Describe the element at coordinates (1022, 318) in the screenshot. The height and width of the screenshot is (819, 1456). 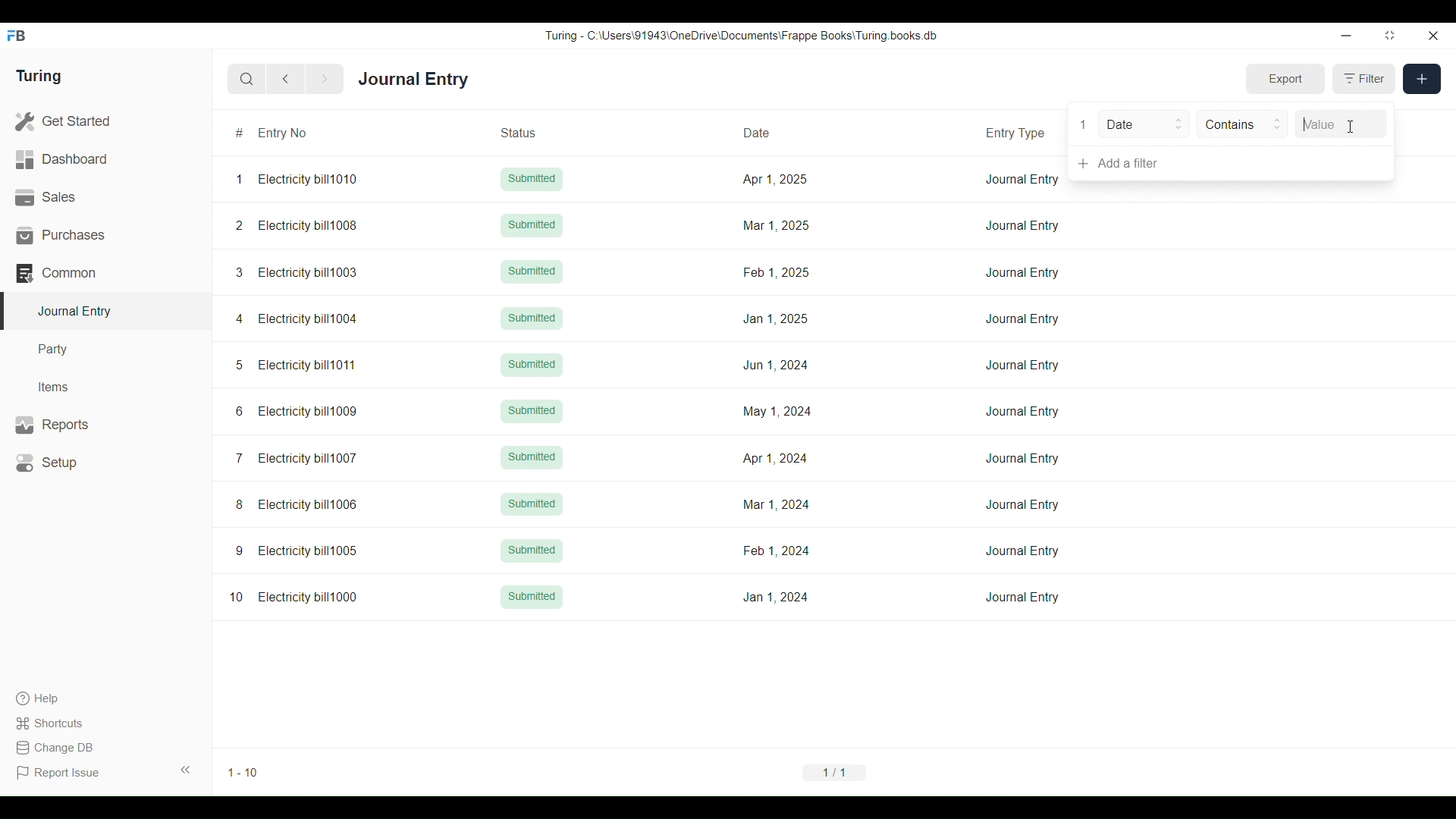
I see `Journal Entry` at that location.